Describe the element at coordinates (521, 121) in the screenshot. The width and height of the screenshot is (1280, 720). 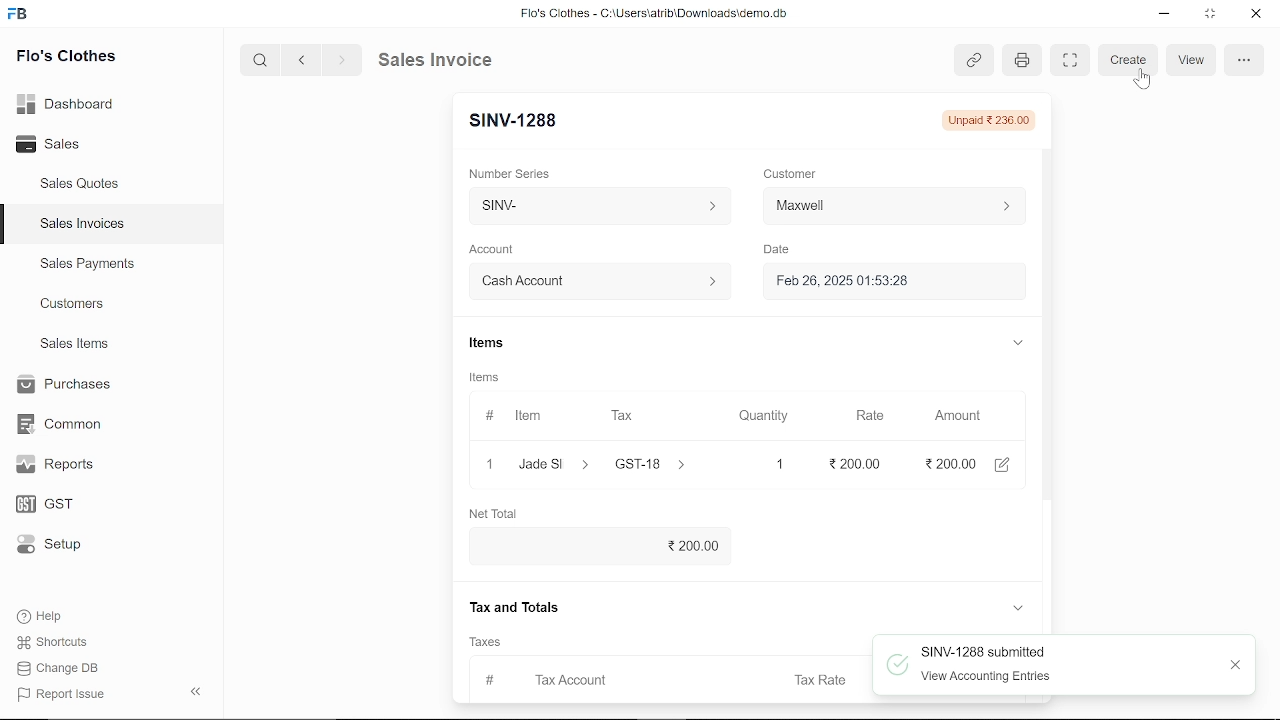
I see `New Entry` at that location.